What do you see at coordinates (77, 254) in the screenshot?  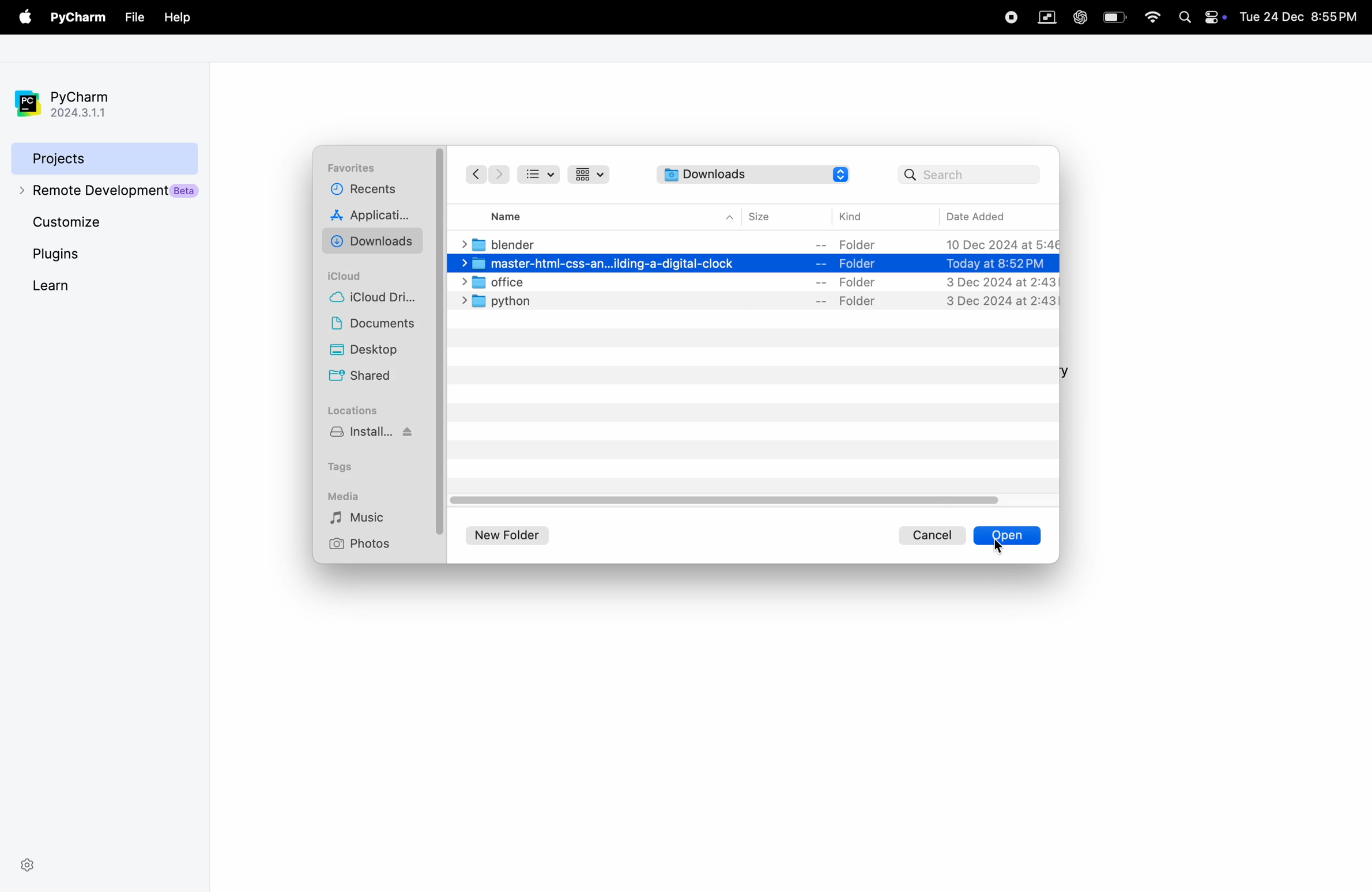 I see `plugins` at bounding box center [77, 254].